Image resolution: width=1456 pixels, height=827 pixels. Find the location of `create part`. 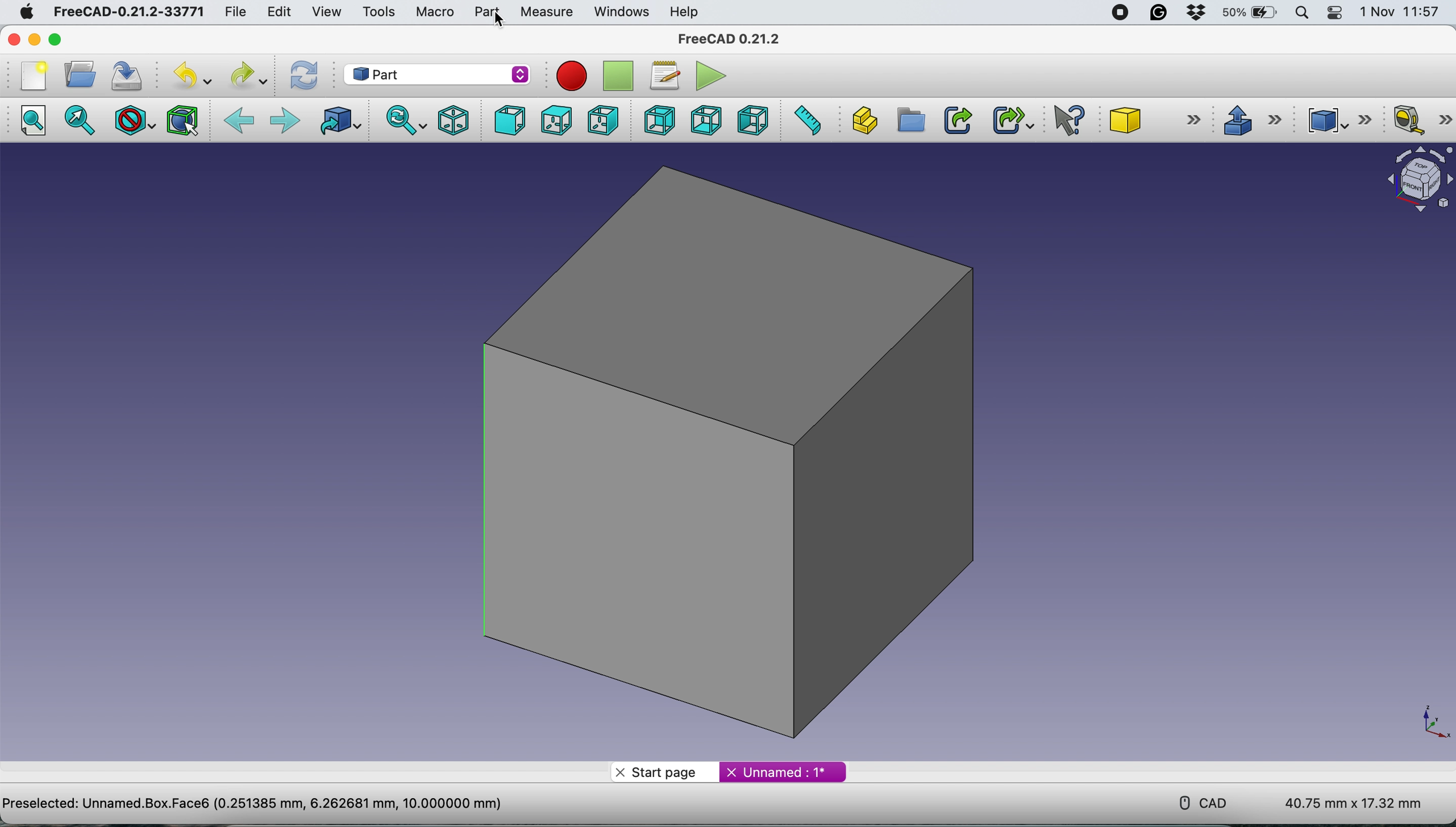

create part is located at coordinates (862, 120).